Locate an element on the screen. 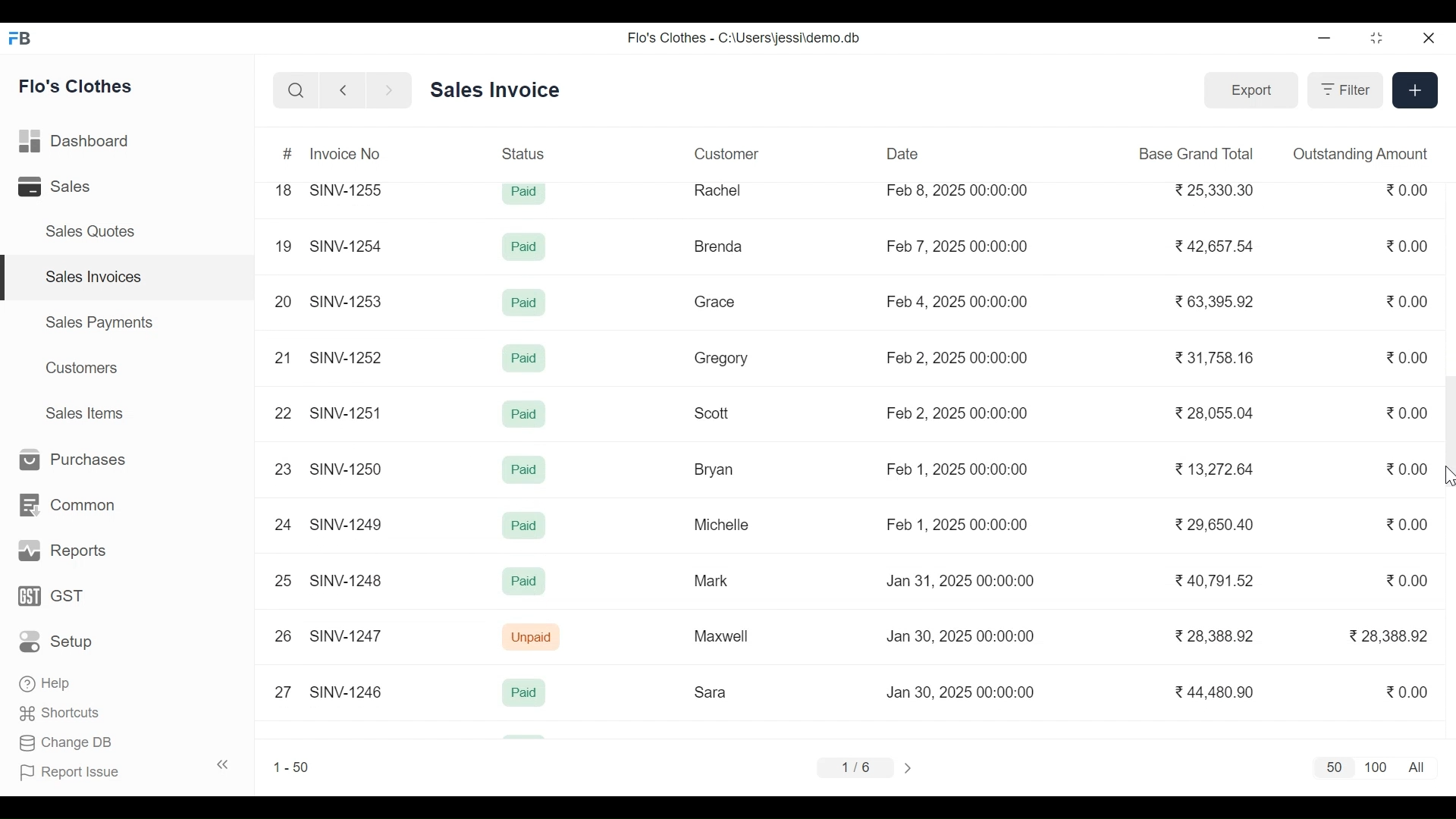 The image size is (1456, 819). Feb 4, 2025 00:00:00 is located at coordinates (958, 302).